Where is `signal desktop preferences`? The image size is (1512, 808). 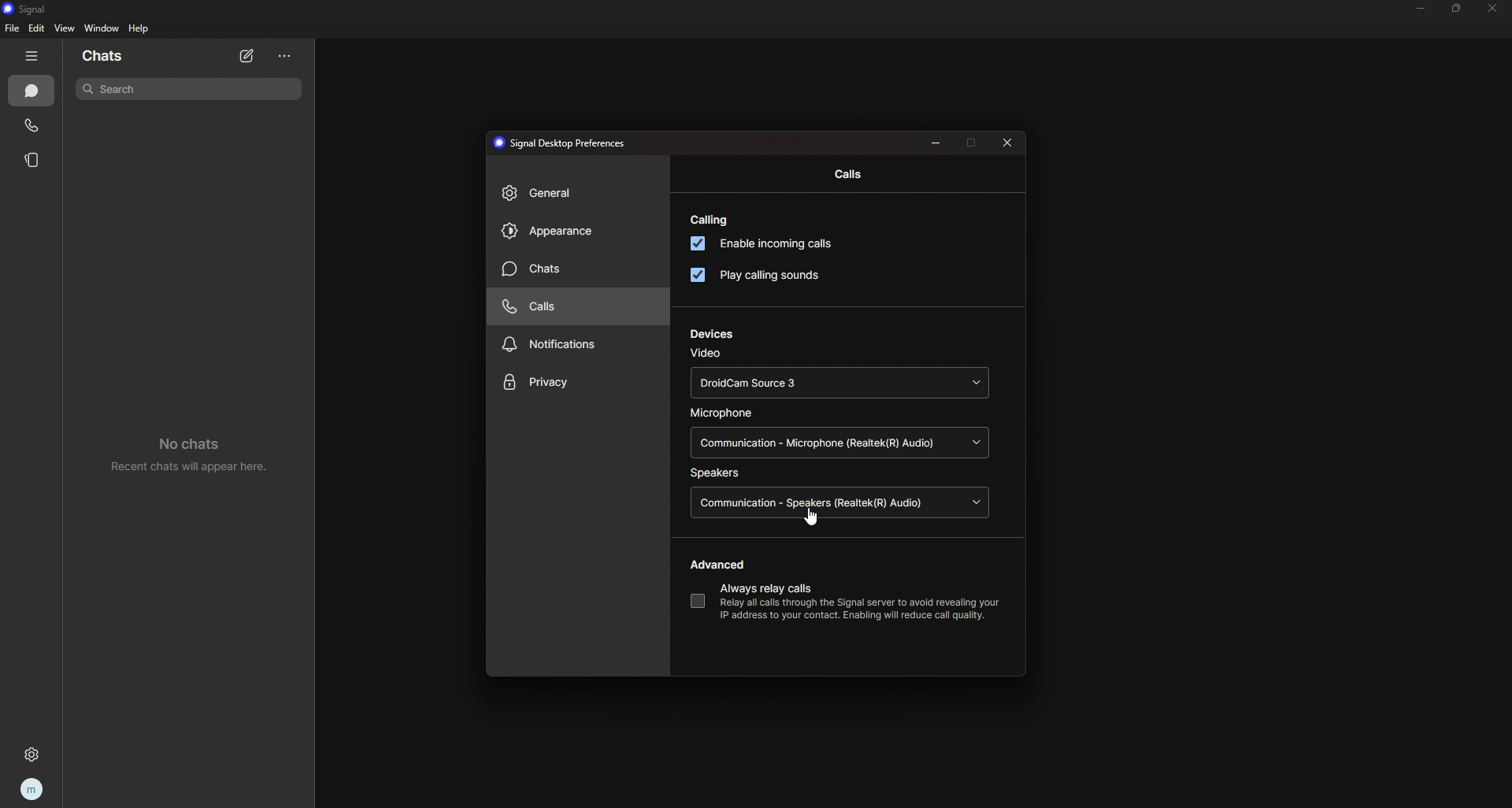 signal desktop preferences is located at coordinates (564, 143).